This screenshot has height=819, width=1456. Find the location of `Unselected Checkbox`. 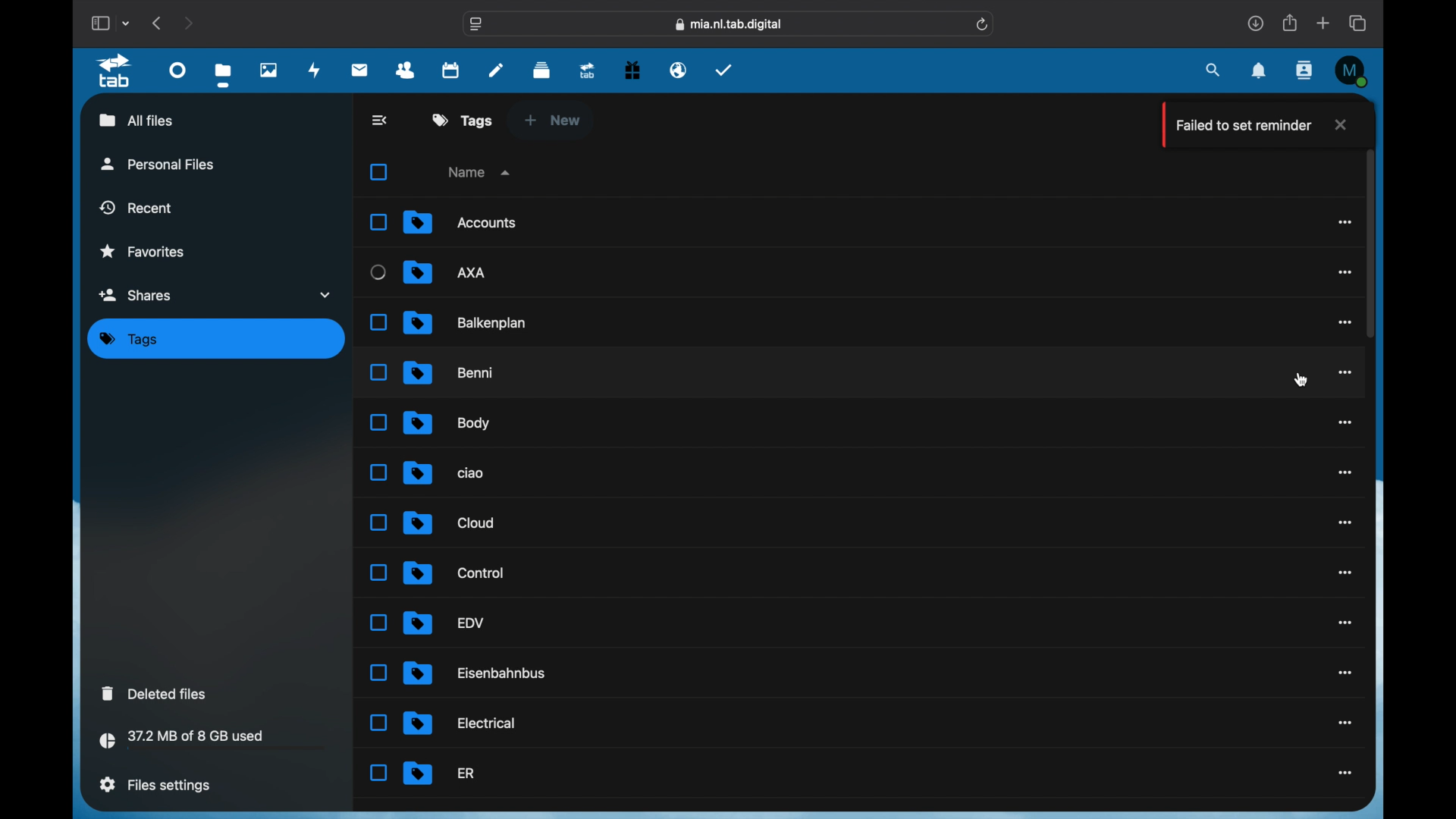

Unselected Checkbox is located at coordinates (378, 623).